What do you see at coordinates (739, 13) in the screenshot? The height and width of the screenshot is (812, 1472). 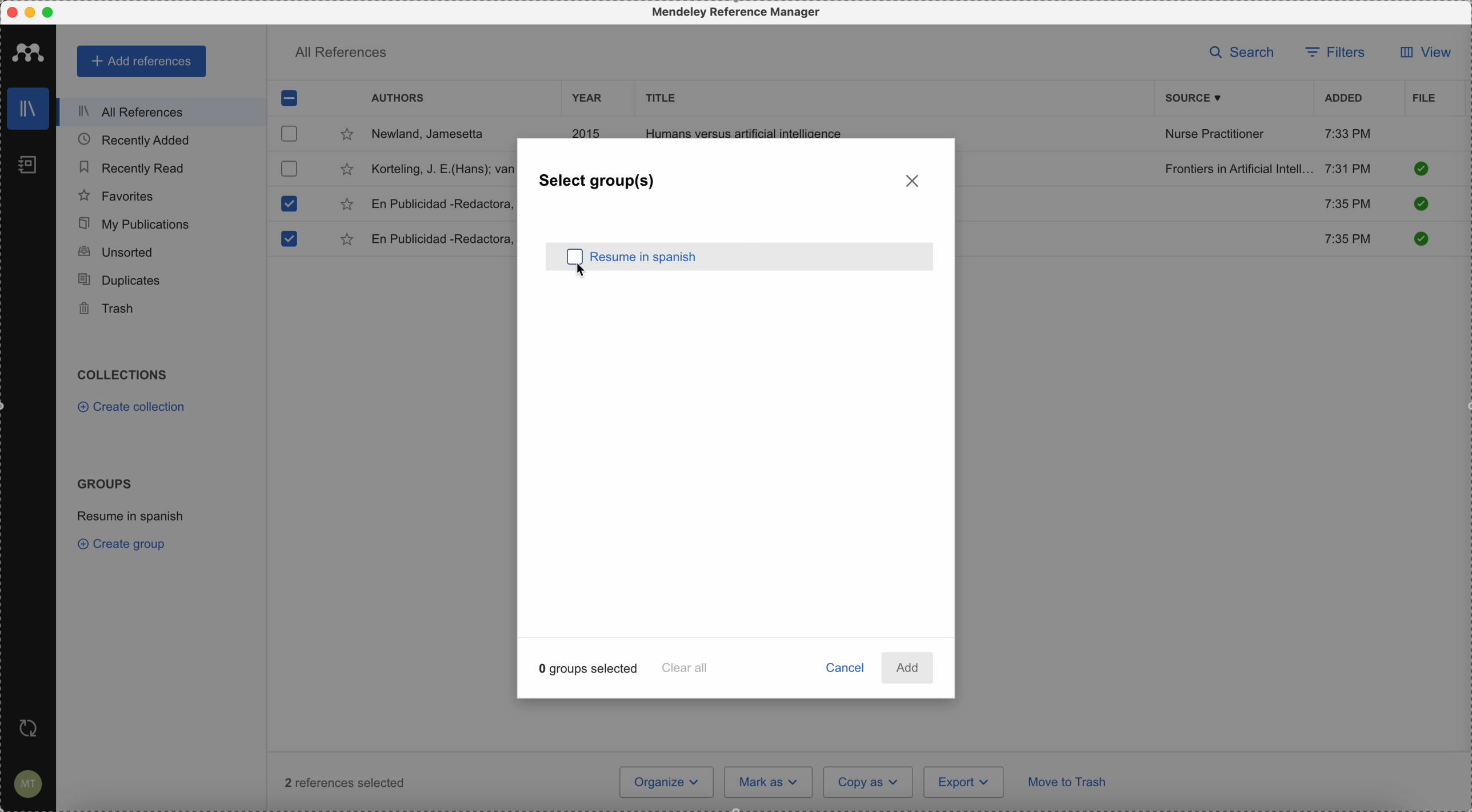 I see `Mendeley Referencen Manager` at bounding box center [739, 13].